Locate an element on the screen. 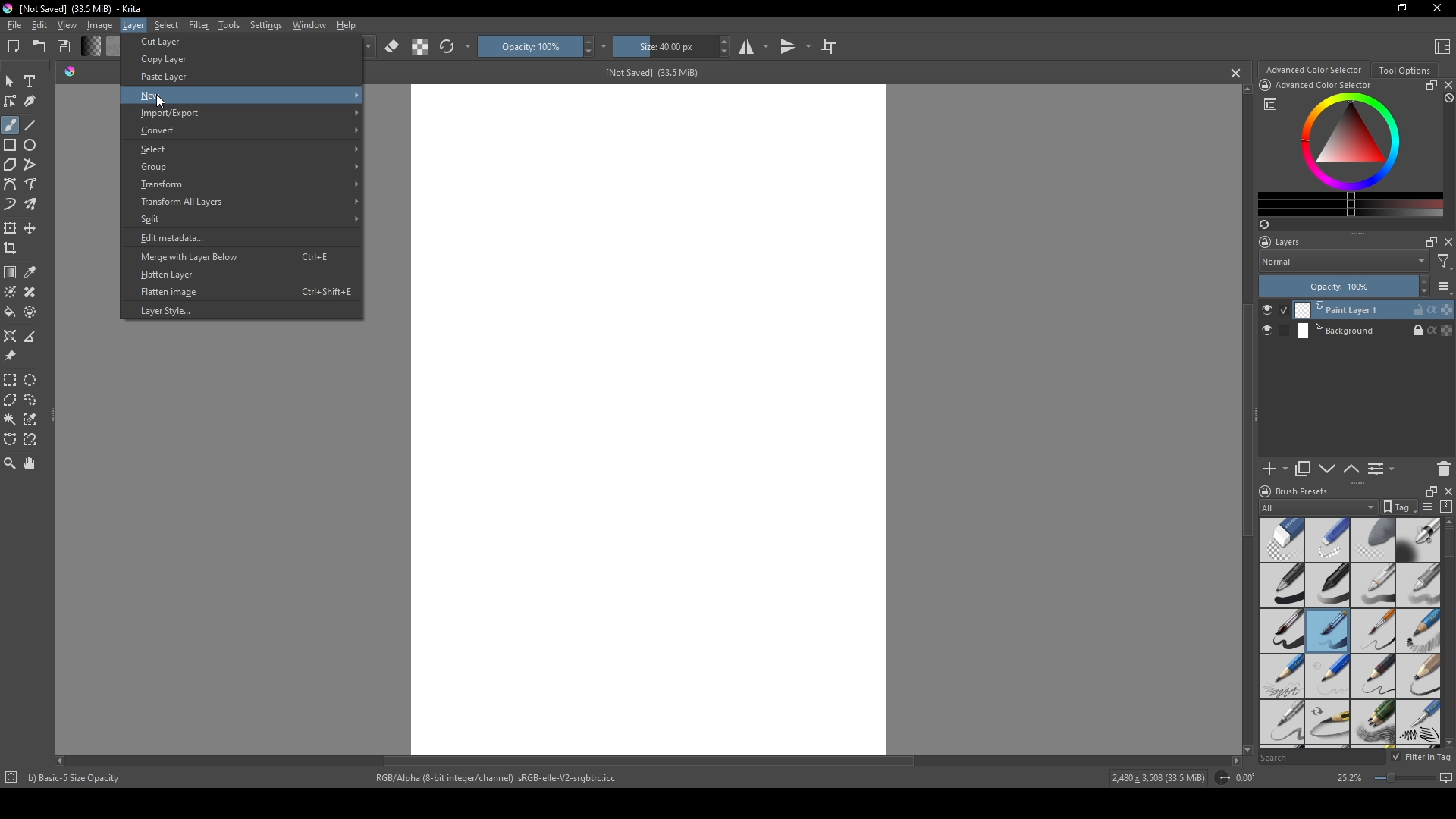 The image size is (1456, 819). Help is located at coordinates (347, 24).